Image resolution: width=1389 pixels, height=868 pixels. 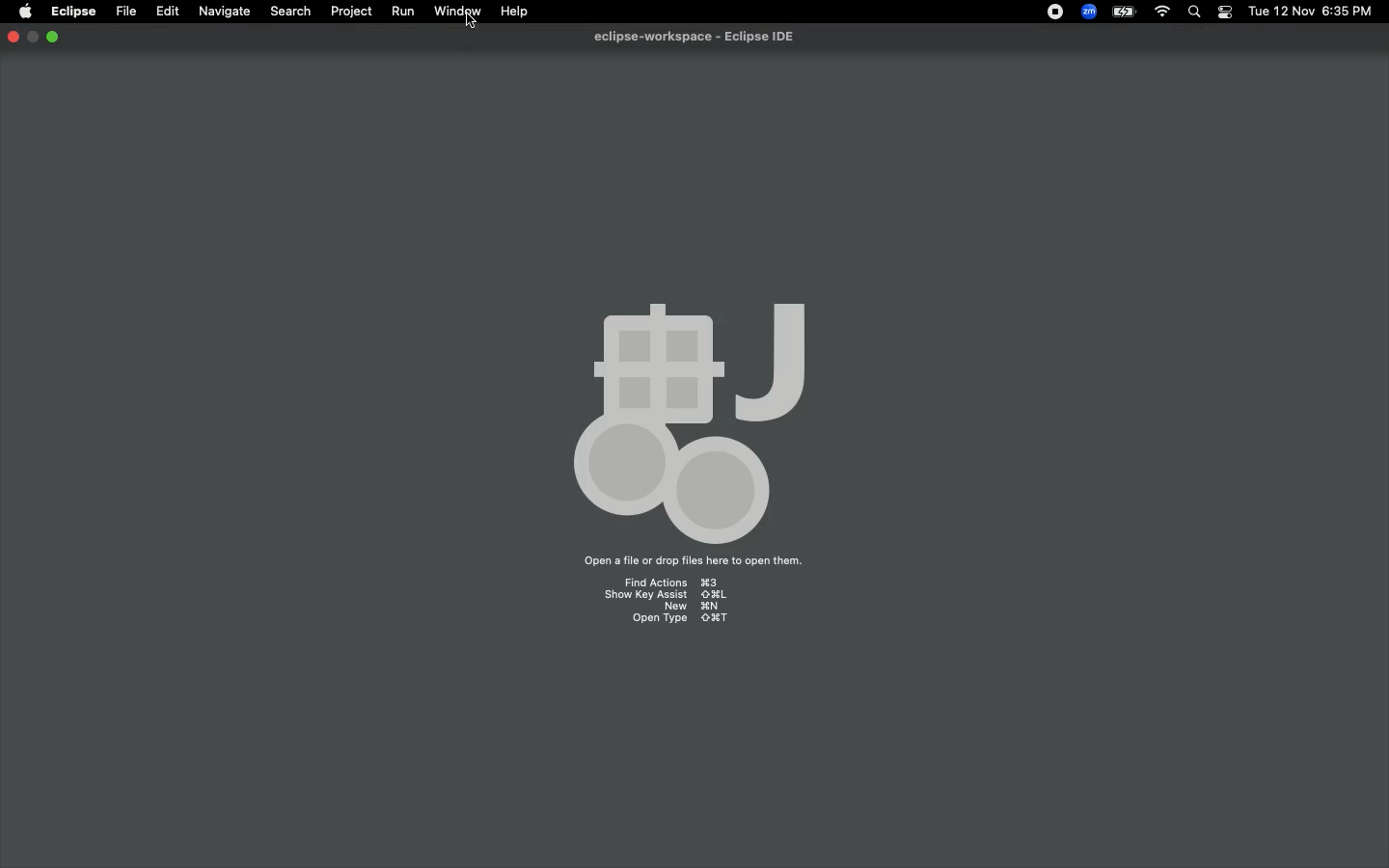 I want to click on Search, so click(x=1195, y=14).